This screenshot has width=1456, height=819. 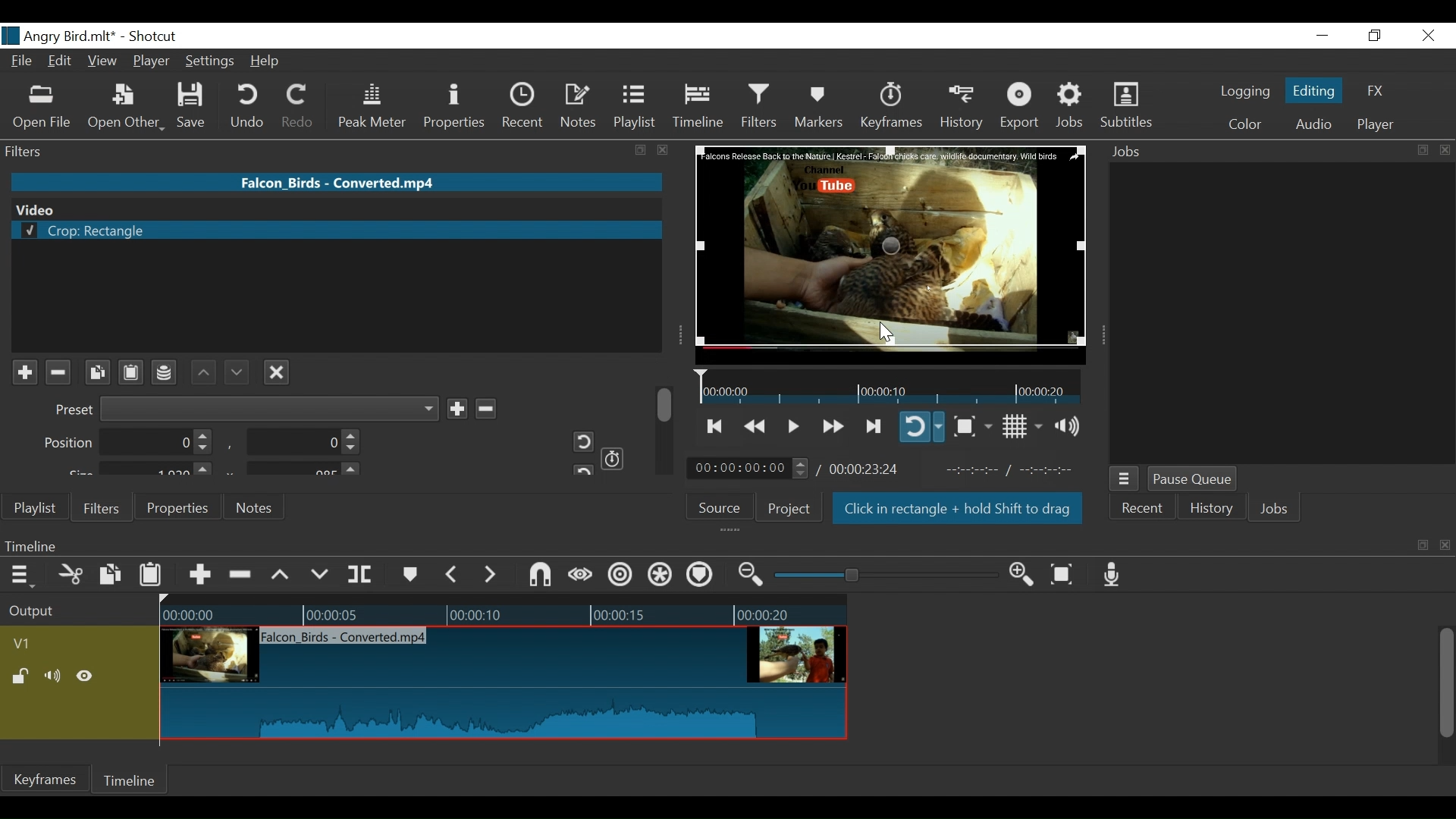 I want to click on History, so click(x=1212, y=510).